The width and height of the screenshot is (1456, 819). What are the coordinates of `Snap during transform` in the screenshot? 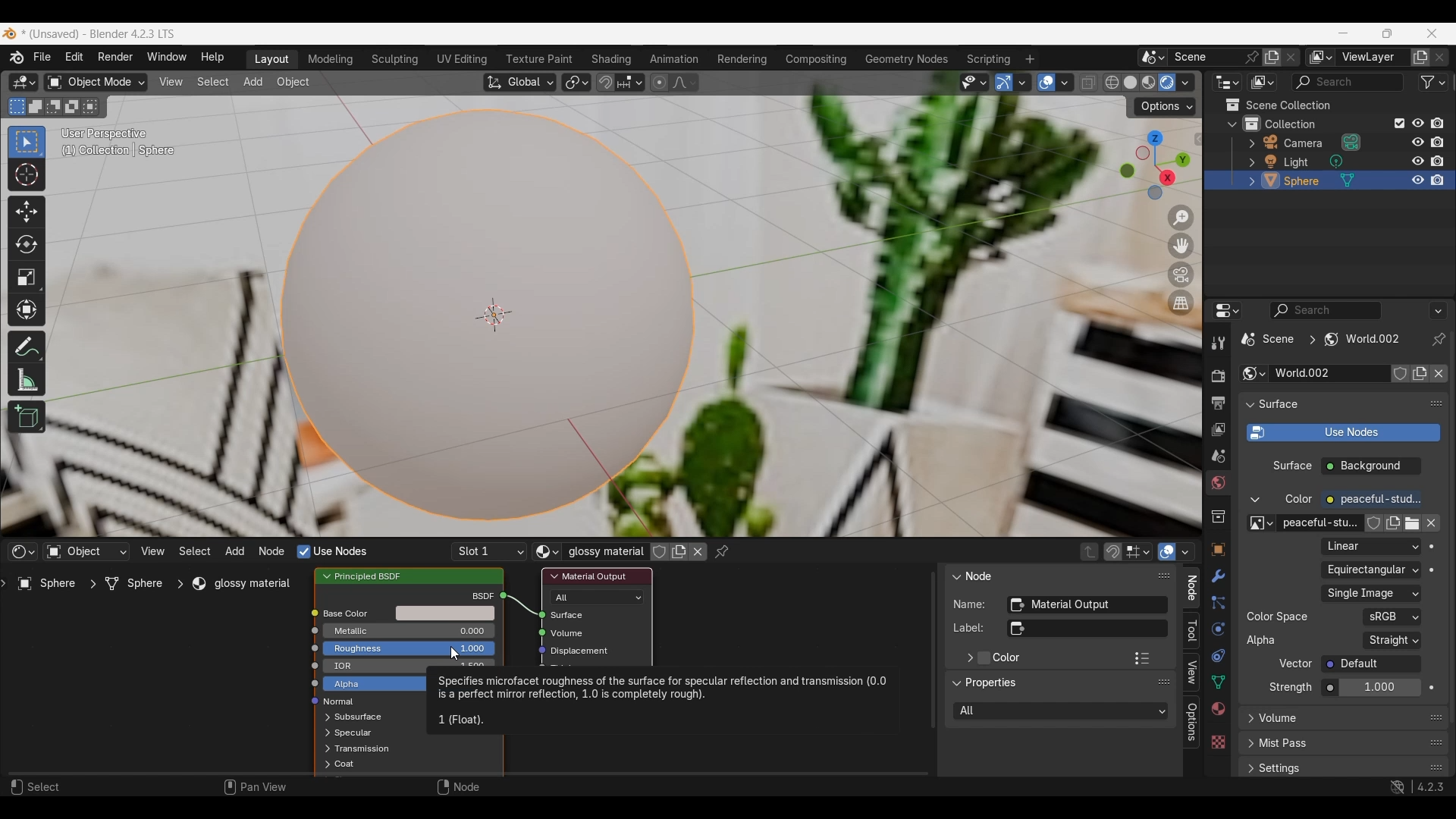 It's located at (605, 82).